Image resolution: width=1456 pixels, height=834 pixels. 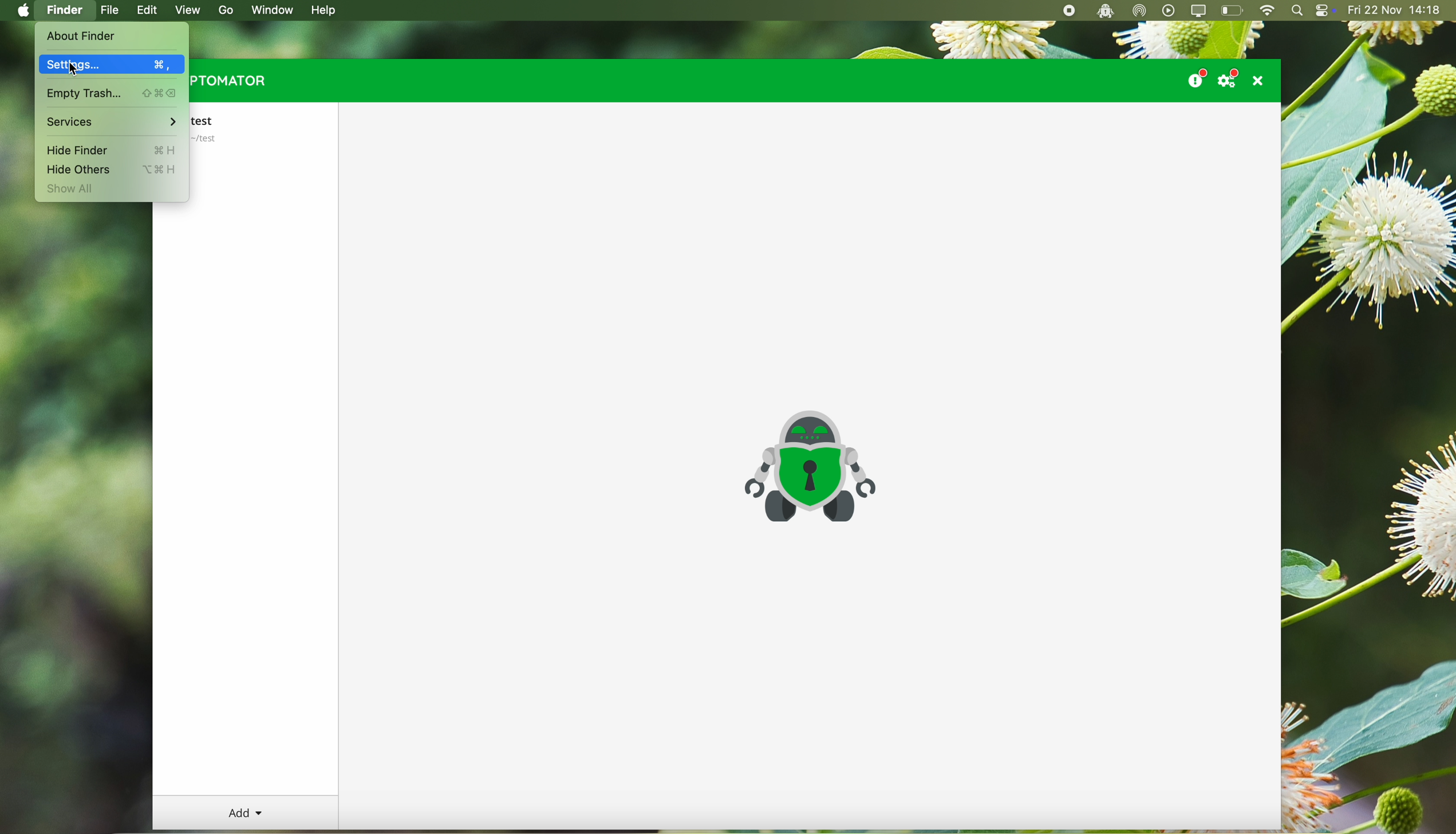 What do you see at coordinates (81, 37) in the screenshot?
I see `about finder` at bounding box center [81, 37].